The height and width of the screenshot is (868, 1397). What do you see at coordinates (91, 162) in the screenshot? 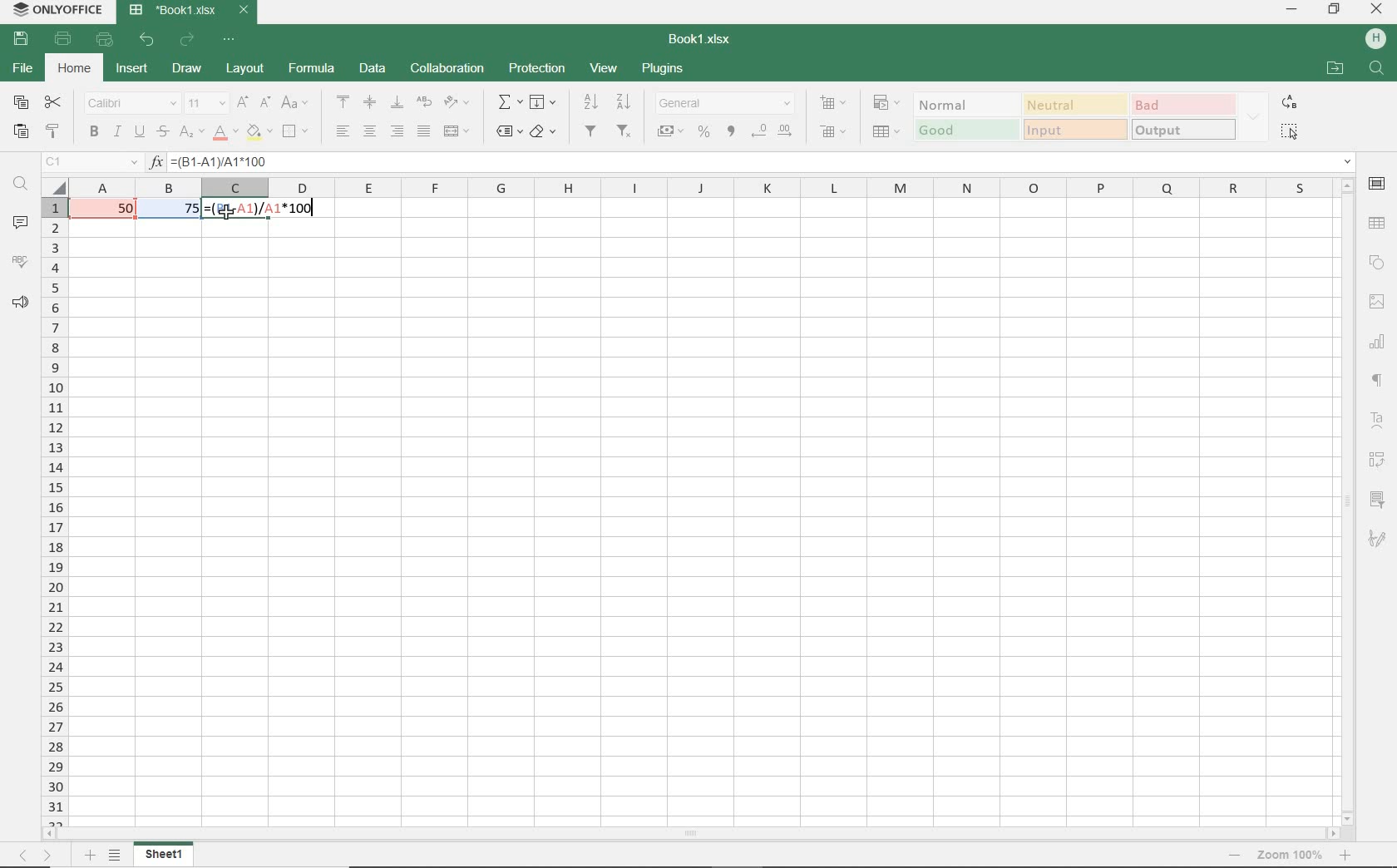
I see `name manager` at bounding box center [91, 162].